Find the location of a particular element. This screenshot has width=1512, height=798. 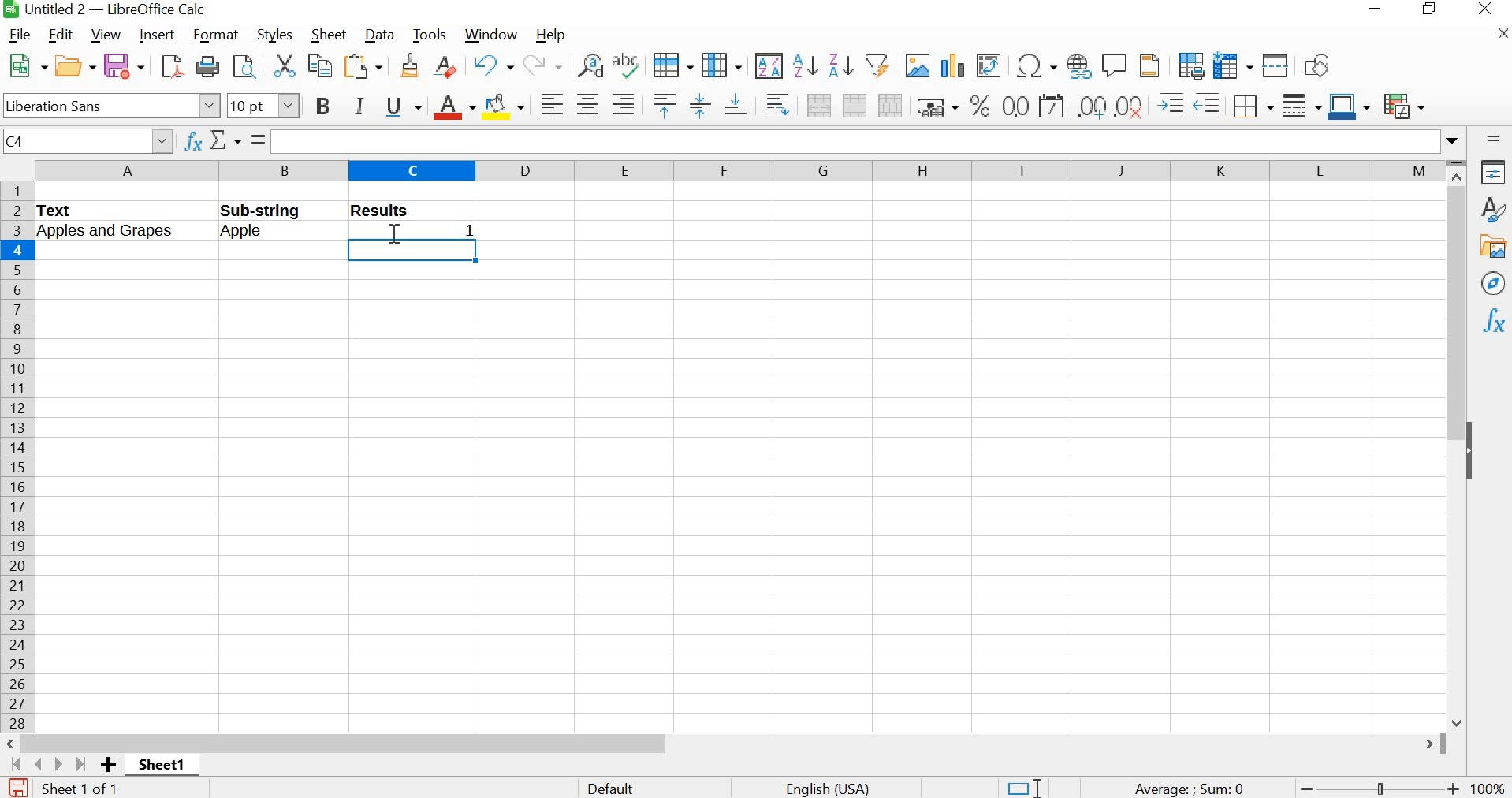

insert or edit pivot table is located at coordinates (991, 65).